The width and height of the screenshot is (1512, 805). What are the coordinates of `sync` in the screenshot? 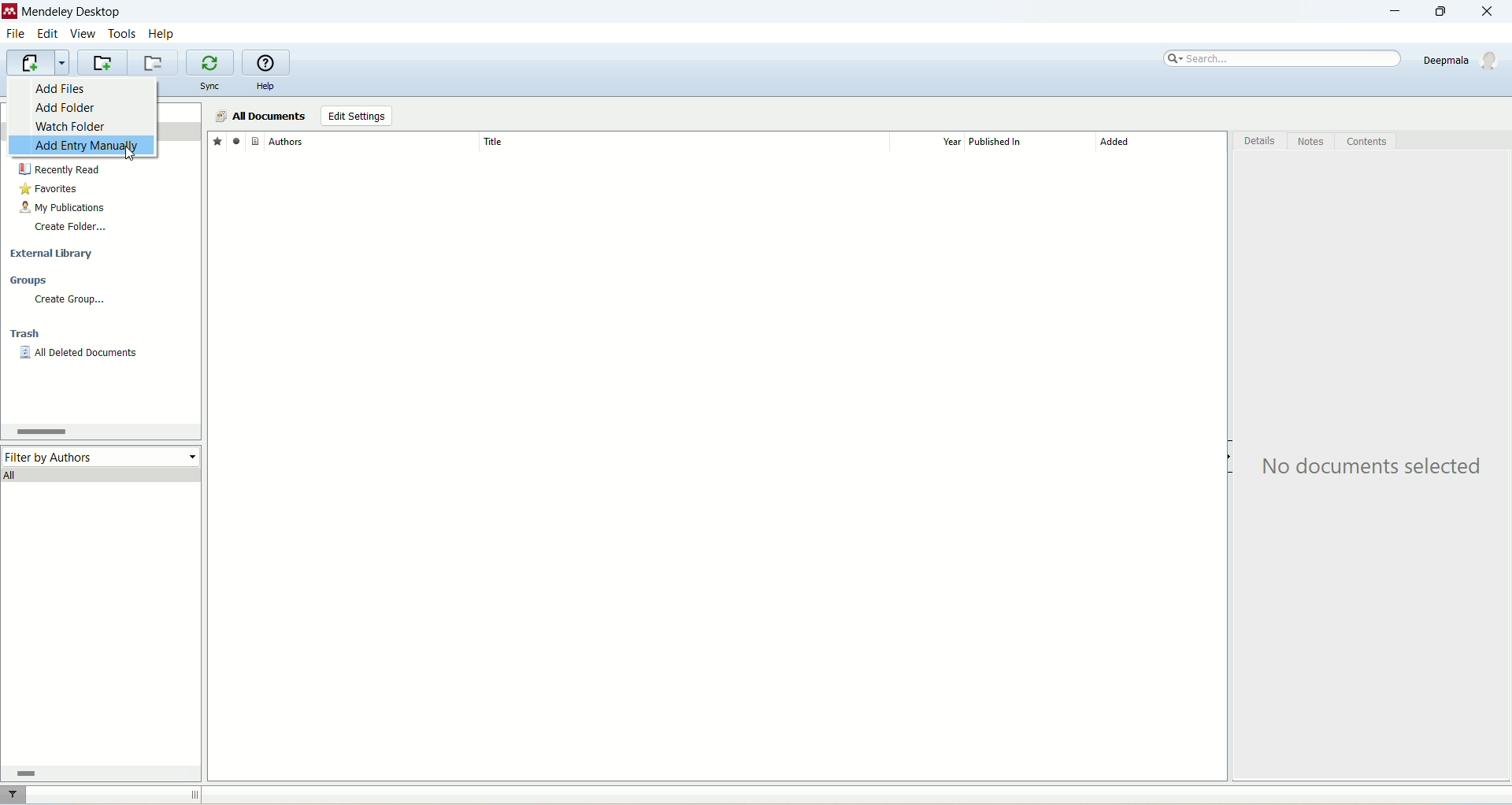 It's located at (212, 87).